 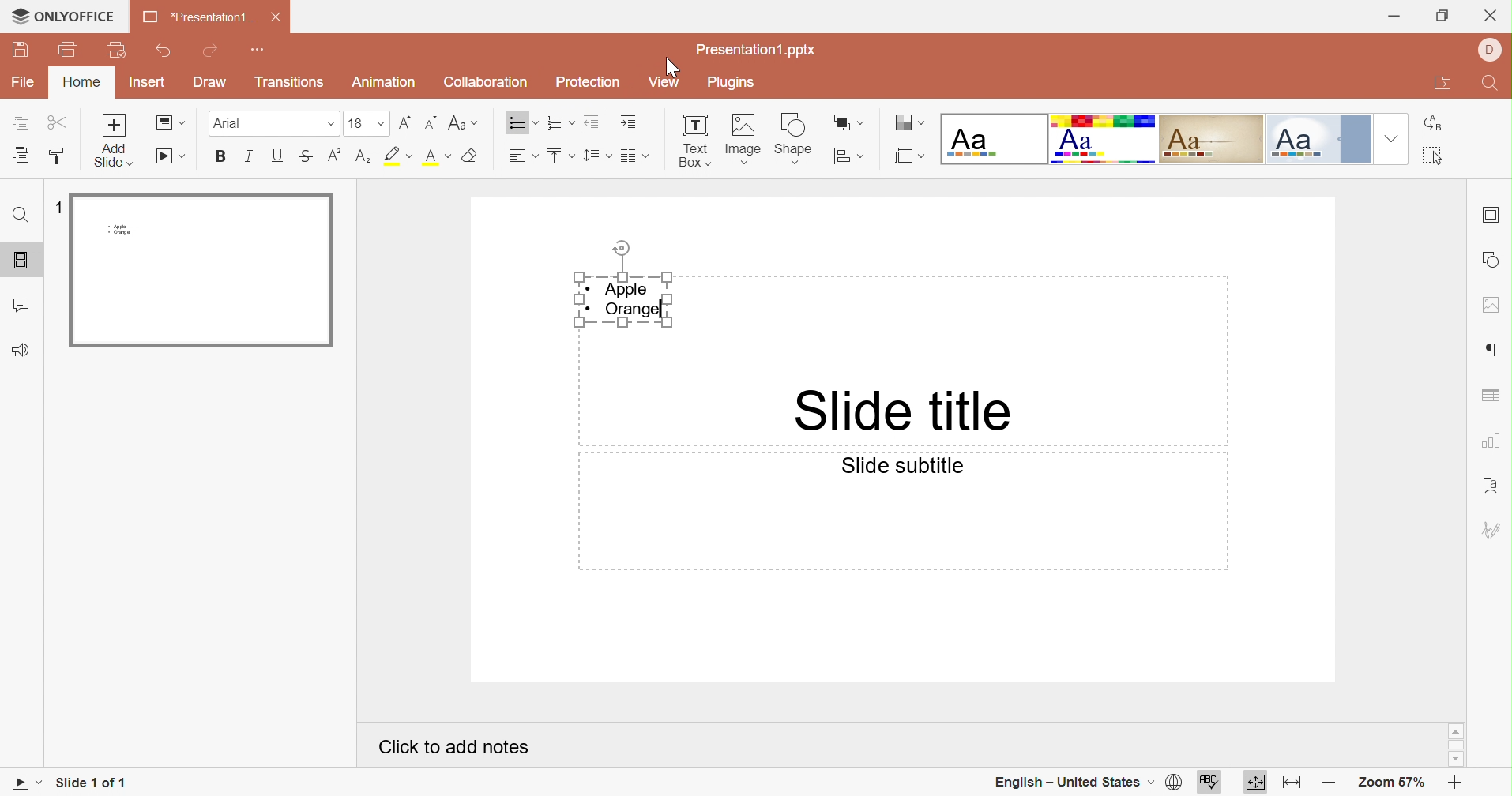 I want to click on Animation, so click(x=389, y=84).